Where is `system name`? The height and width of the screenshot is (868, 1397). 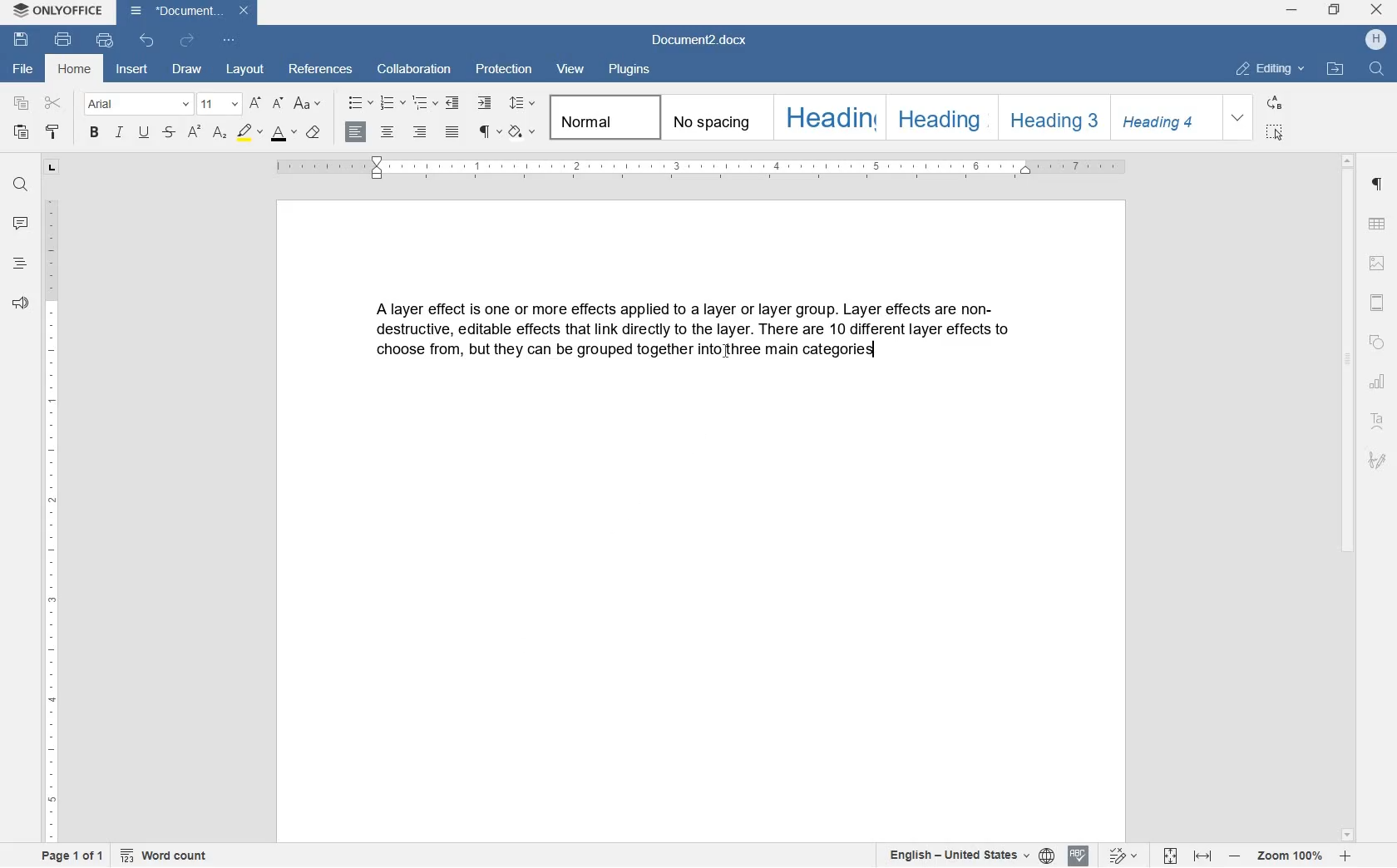 system name is located at coordinates (56, 11).